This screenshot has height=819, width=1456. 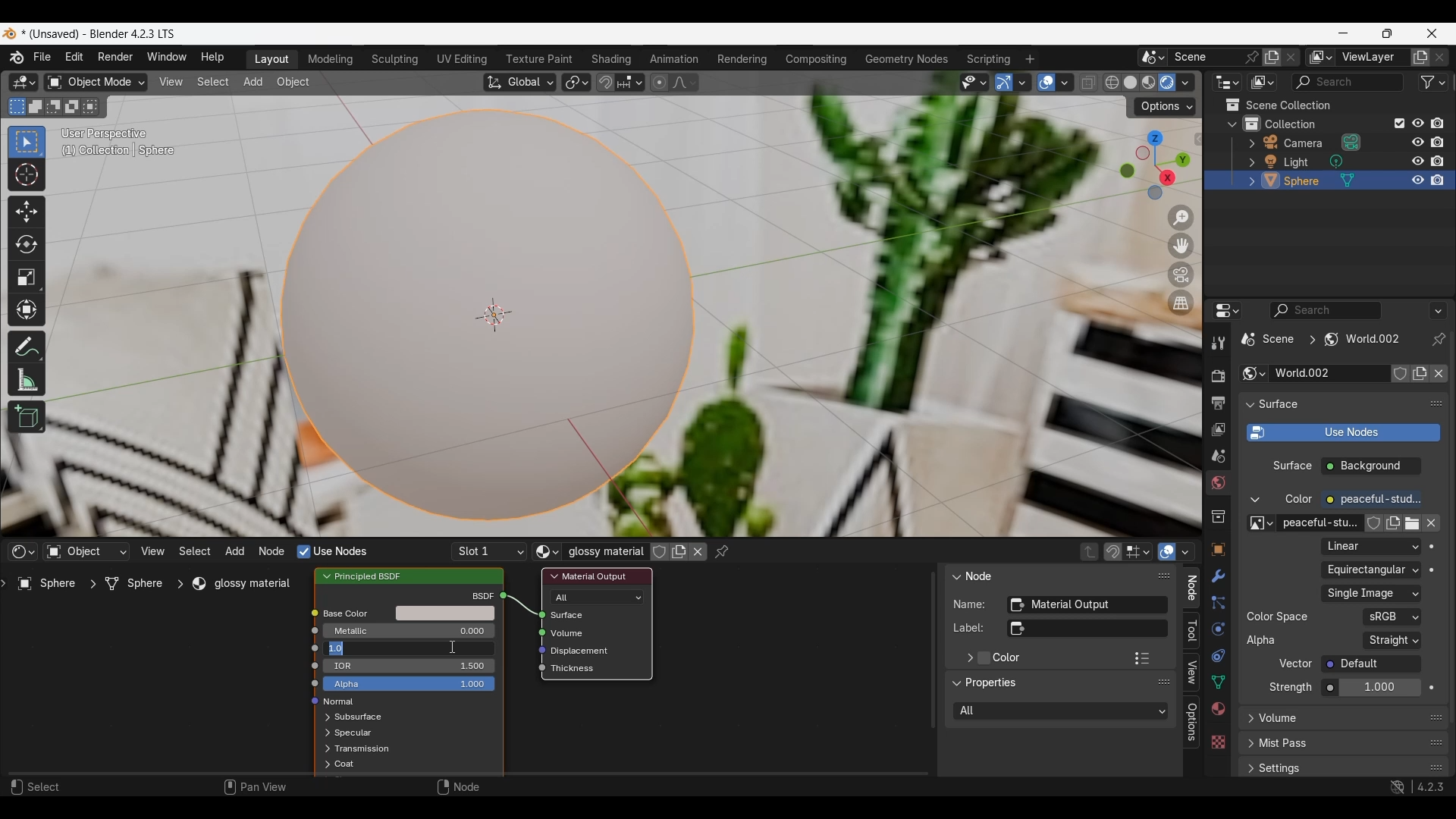 What do you see at coordinates (166, 58) in the screenshot?
I see `Window` at bounding box center [166, 58].